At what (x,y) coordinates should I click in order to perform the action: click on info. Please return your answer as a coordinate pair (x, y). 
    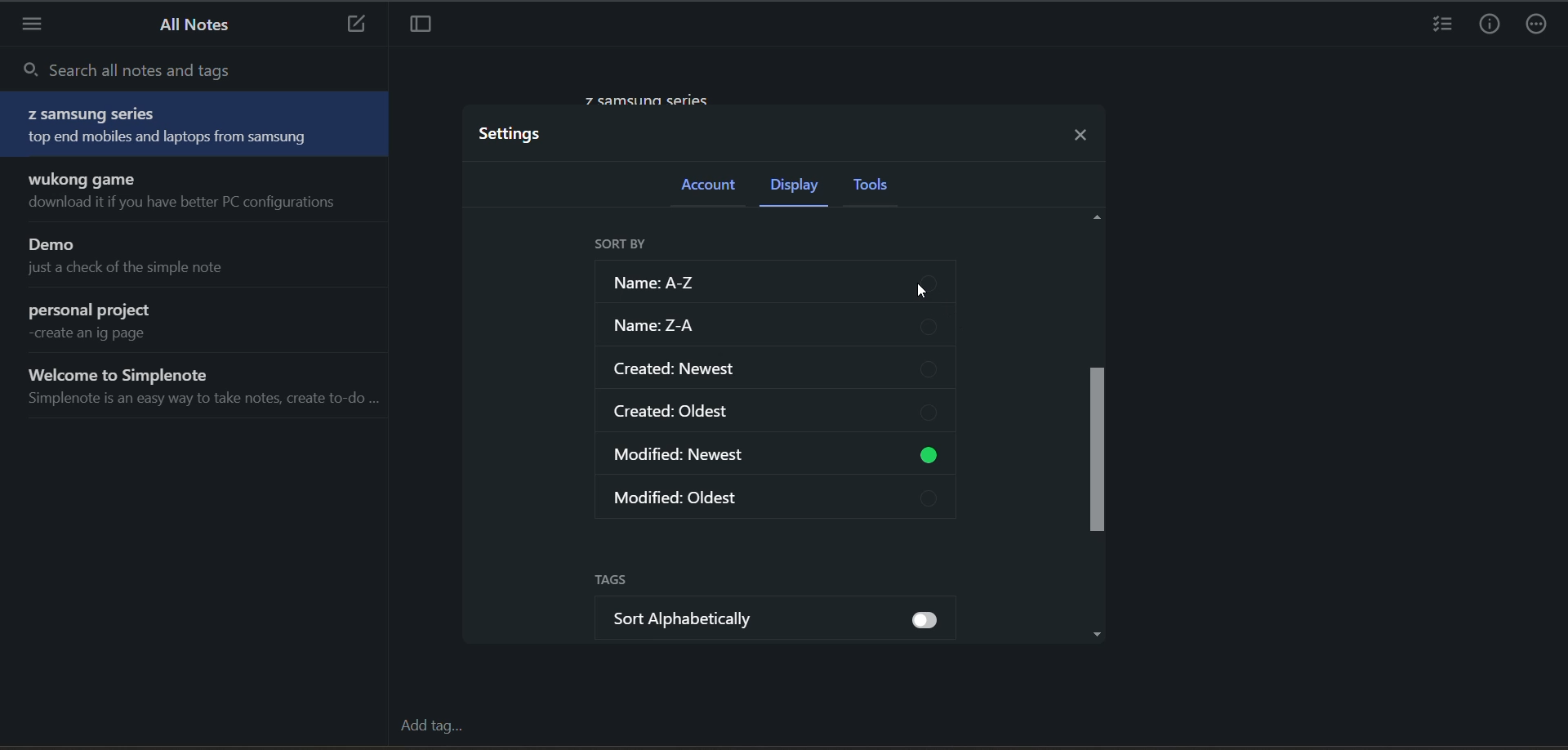
    Looking at the image, I should click on (1490, 25).